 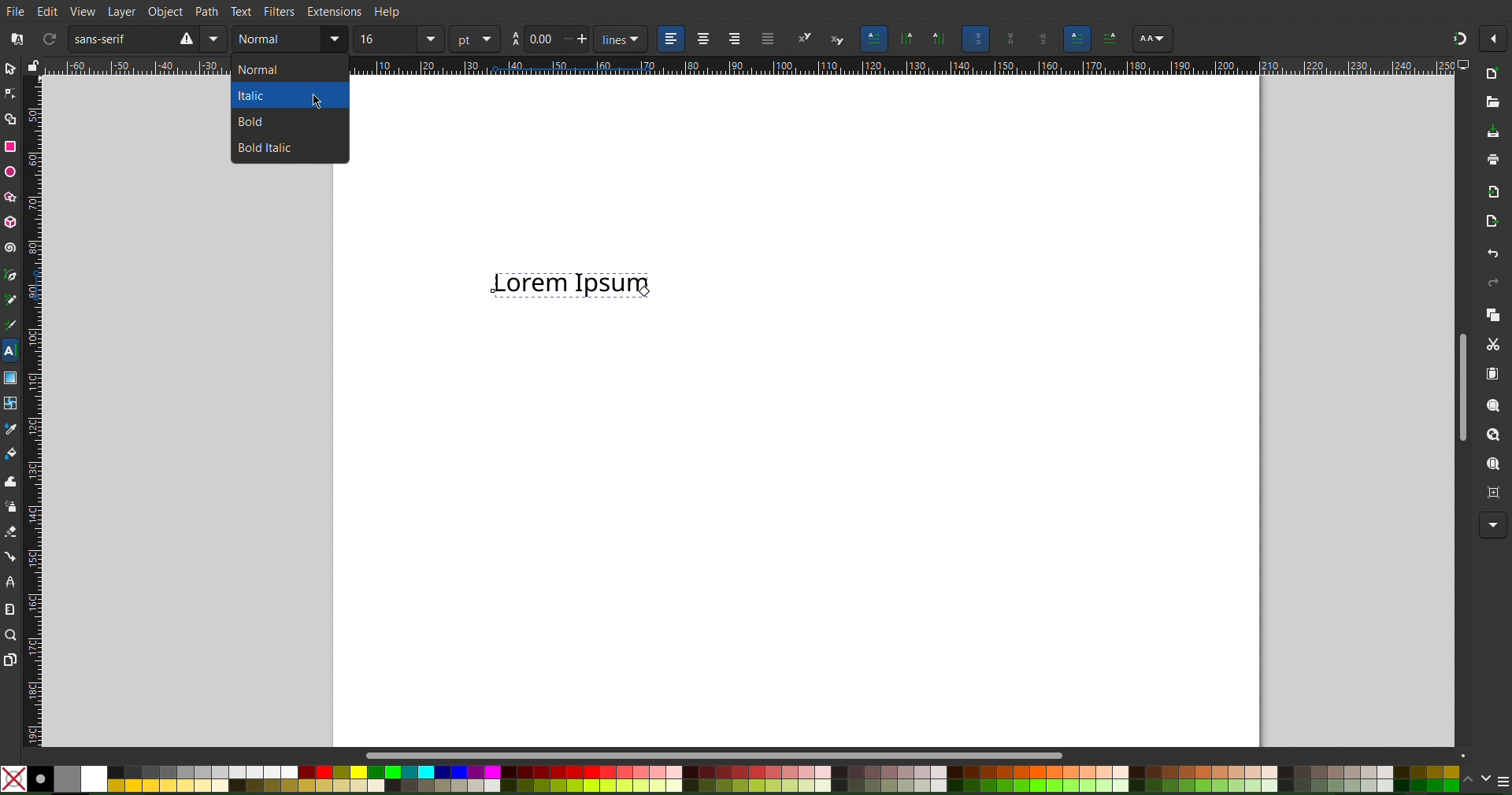 What do you see at coordinates (1492, 131) in the screenshot?
I see `Save` at bounding box center [1492, 131].